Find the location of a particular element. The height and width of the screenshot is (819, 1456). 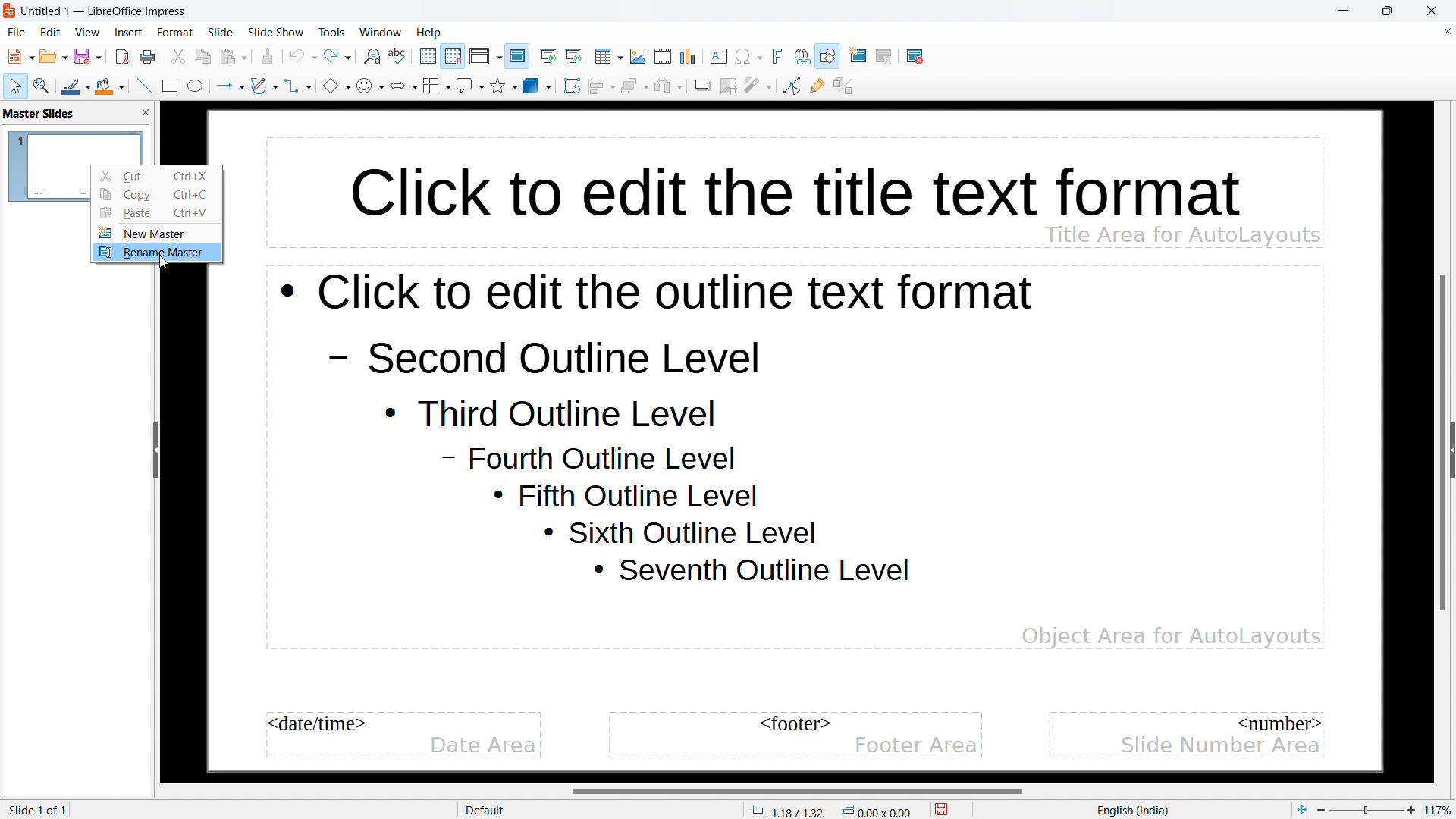

Second outline level is located at coordinates (552, 357).